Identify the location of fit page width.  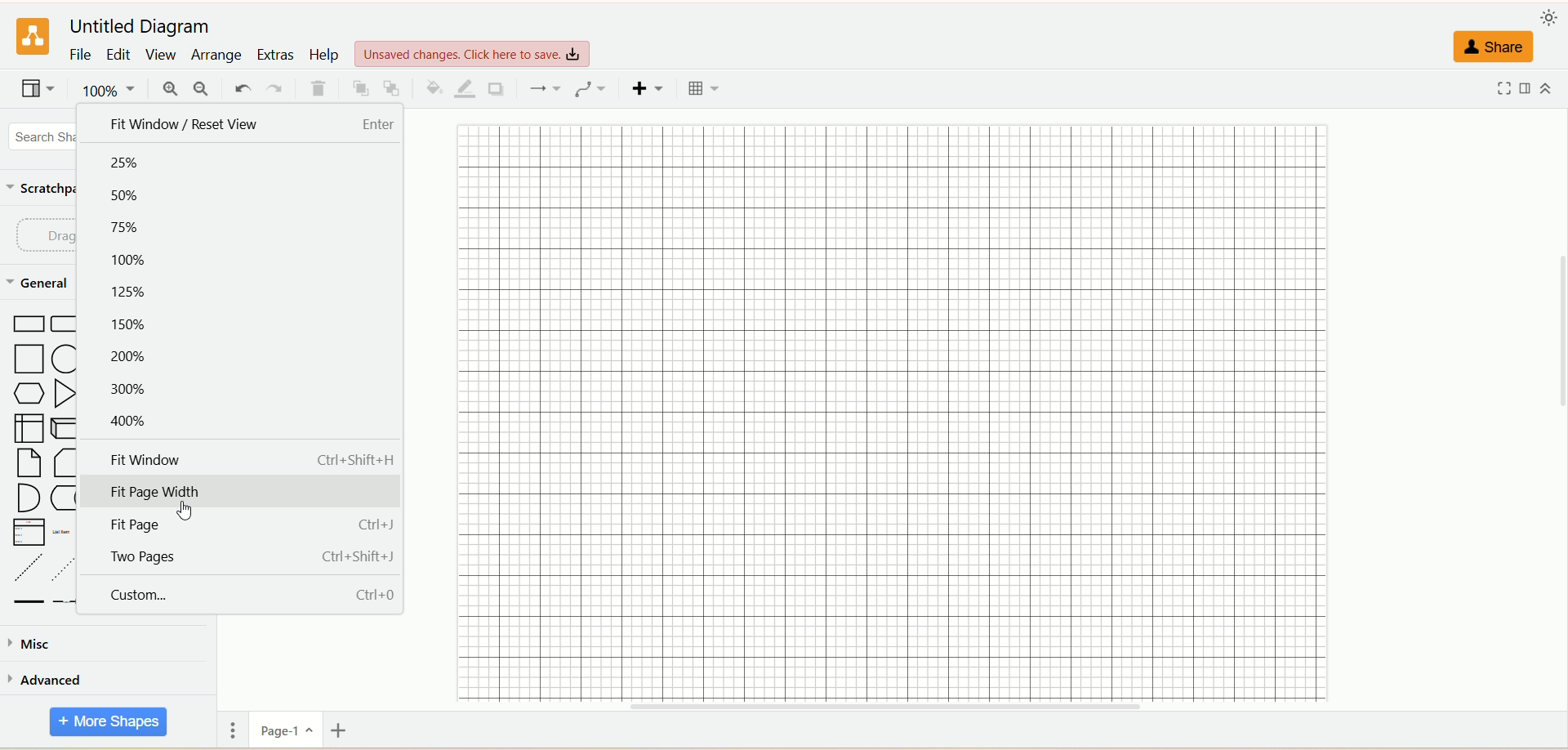
(244, 489).